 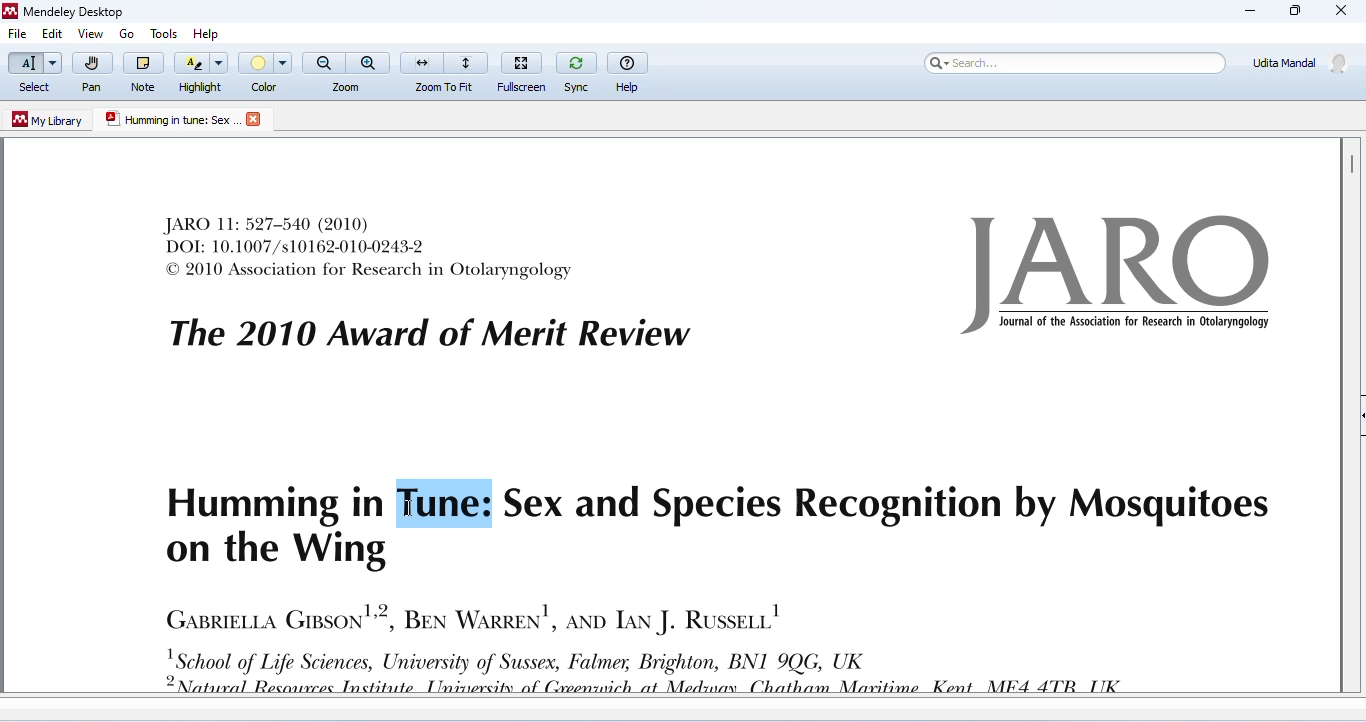 What do you see at coordinates (1350, 163) in the screenshot?
I see `vertical scroll bar` at bounding box center [1350, 163].